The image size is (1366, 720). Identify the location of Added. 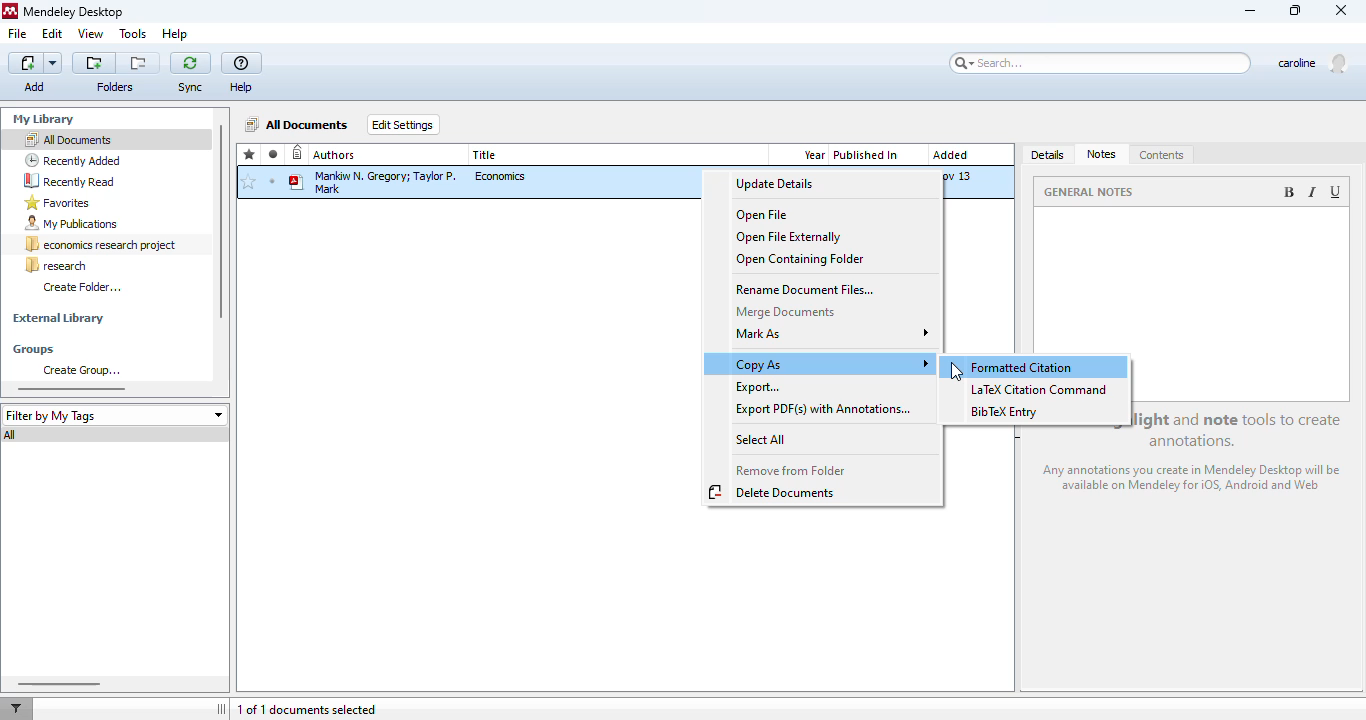
(949, 153).